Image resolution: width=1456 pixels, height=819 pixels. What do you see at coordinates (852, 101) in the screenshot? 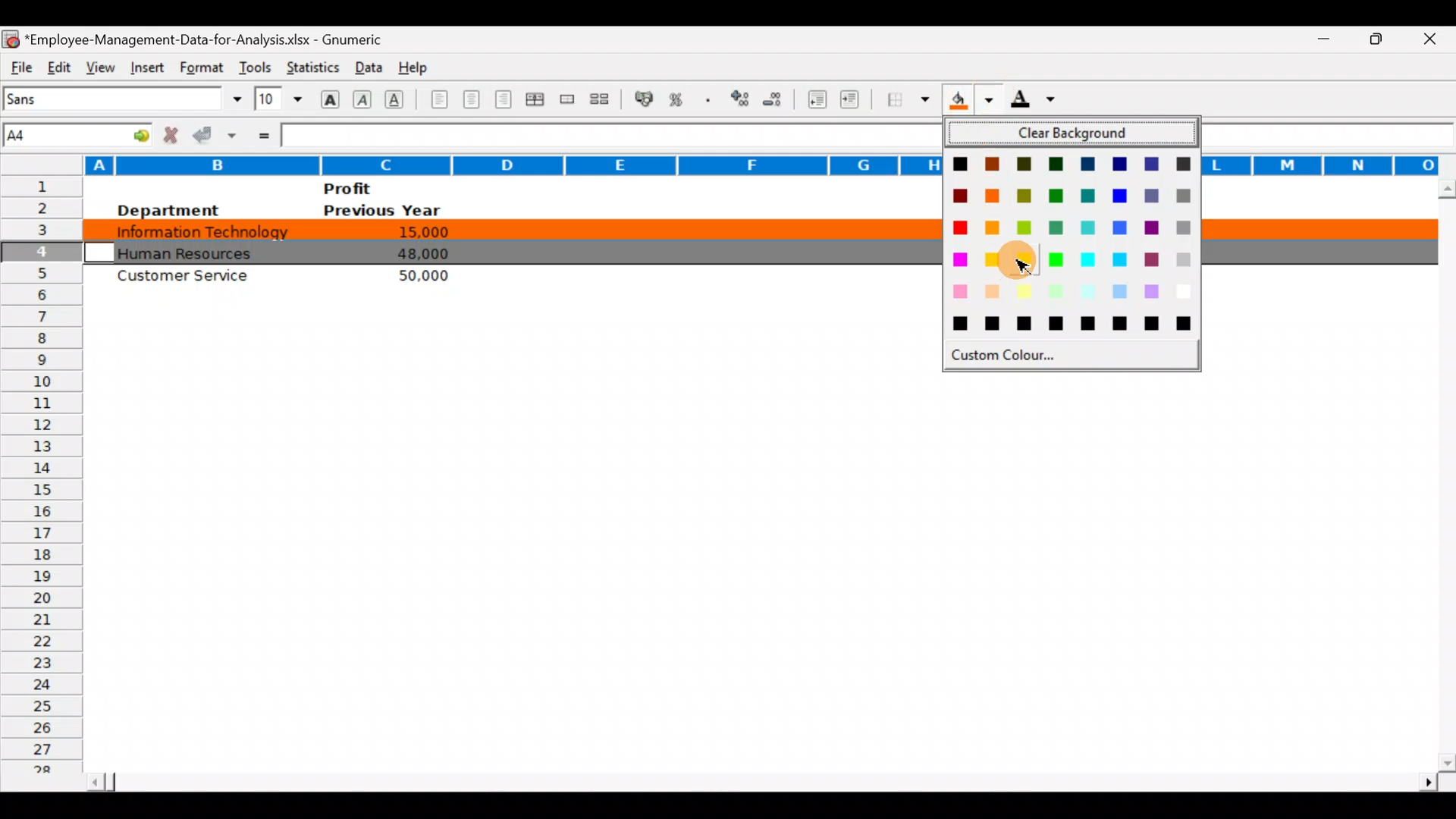
I see `Increase indent, align contents to the right` at bounding box center [852, 101].